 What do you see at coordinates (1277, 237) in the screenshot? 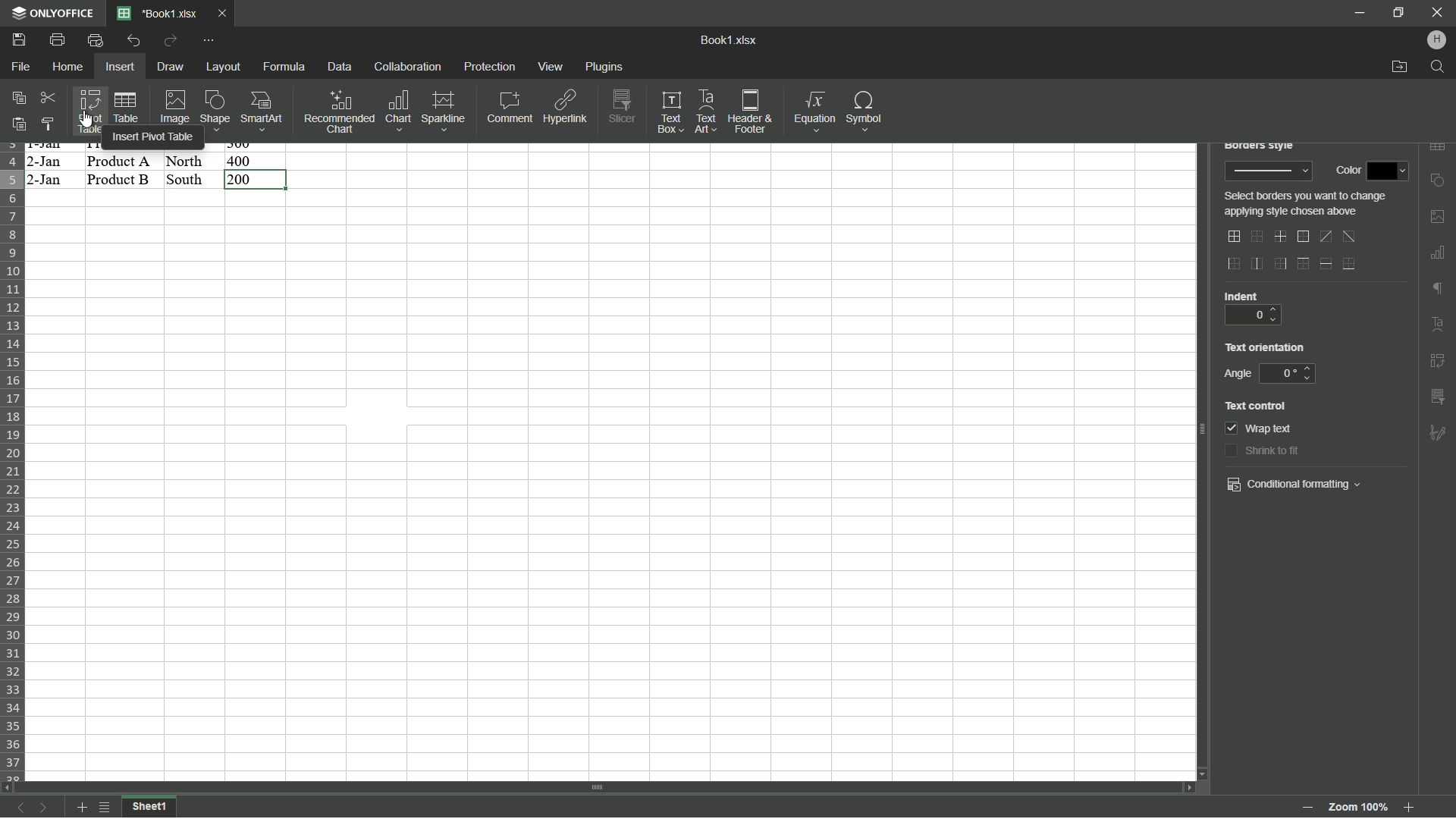
I see `inner lines only` at bounding box center [1277, 237].